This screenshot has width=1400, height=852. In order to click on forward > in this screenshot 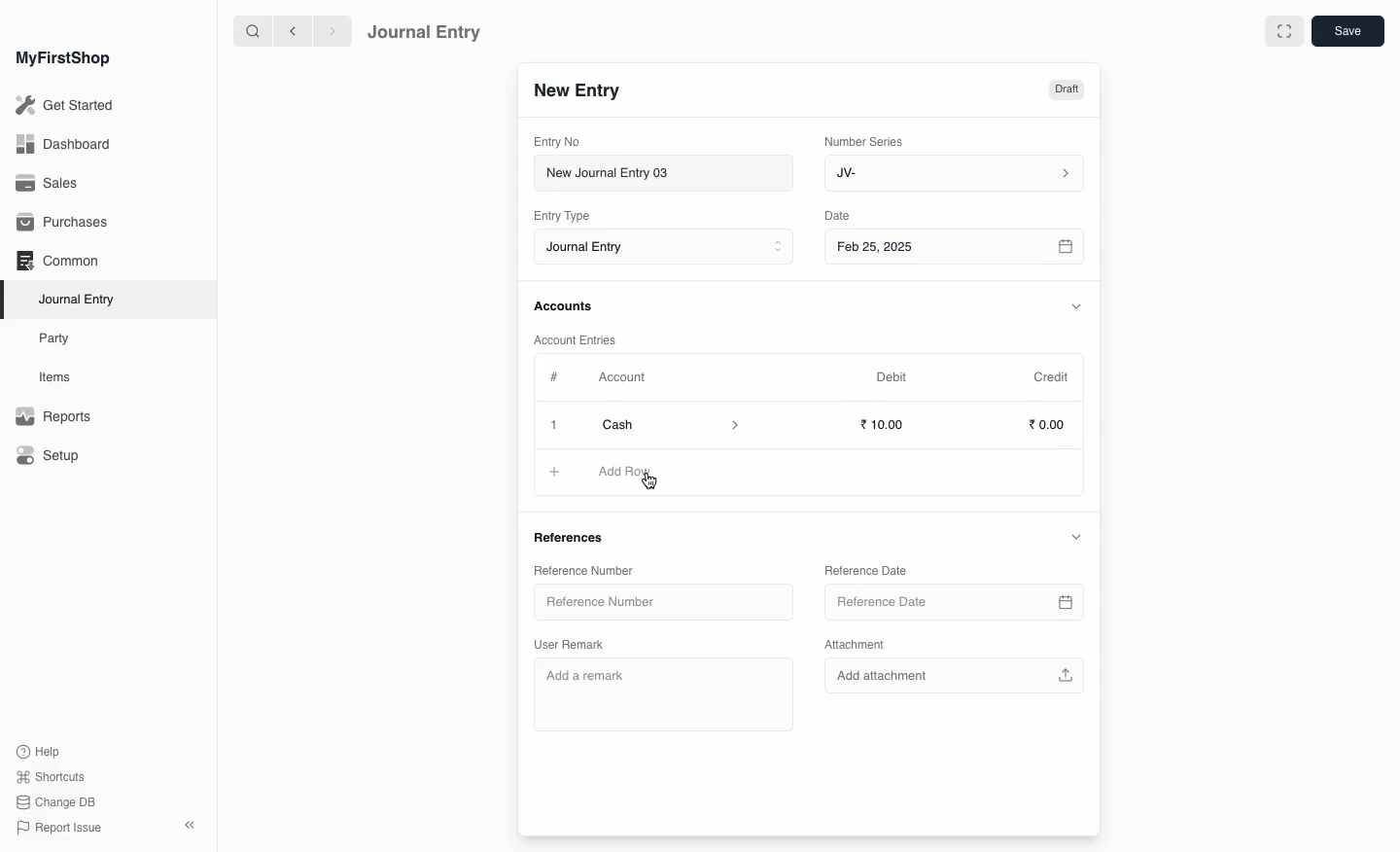, I will do `click(328, 30)`.